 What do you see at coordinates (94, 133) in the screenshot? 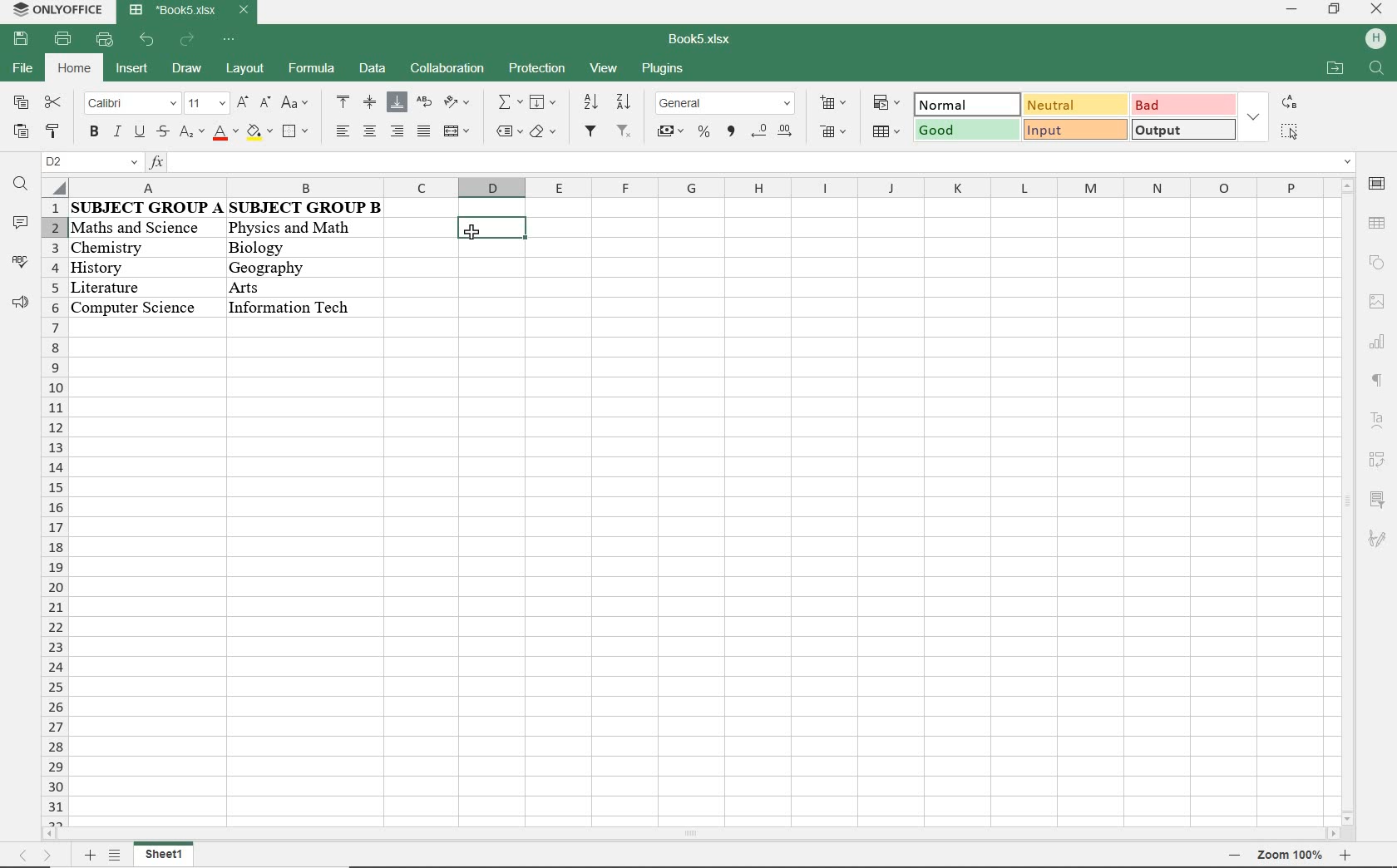
I see `bold` at bounding box center [94, 133].